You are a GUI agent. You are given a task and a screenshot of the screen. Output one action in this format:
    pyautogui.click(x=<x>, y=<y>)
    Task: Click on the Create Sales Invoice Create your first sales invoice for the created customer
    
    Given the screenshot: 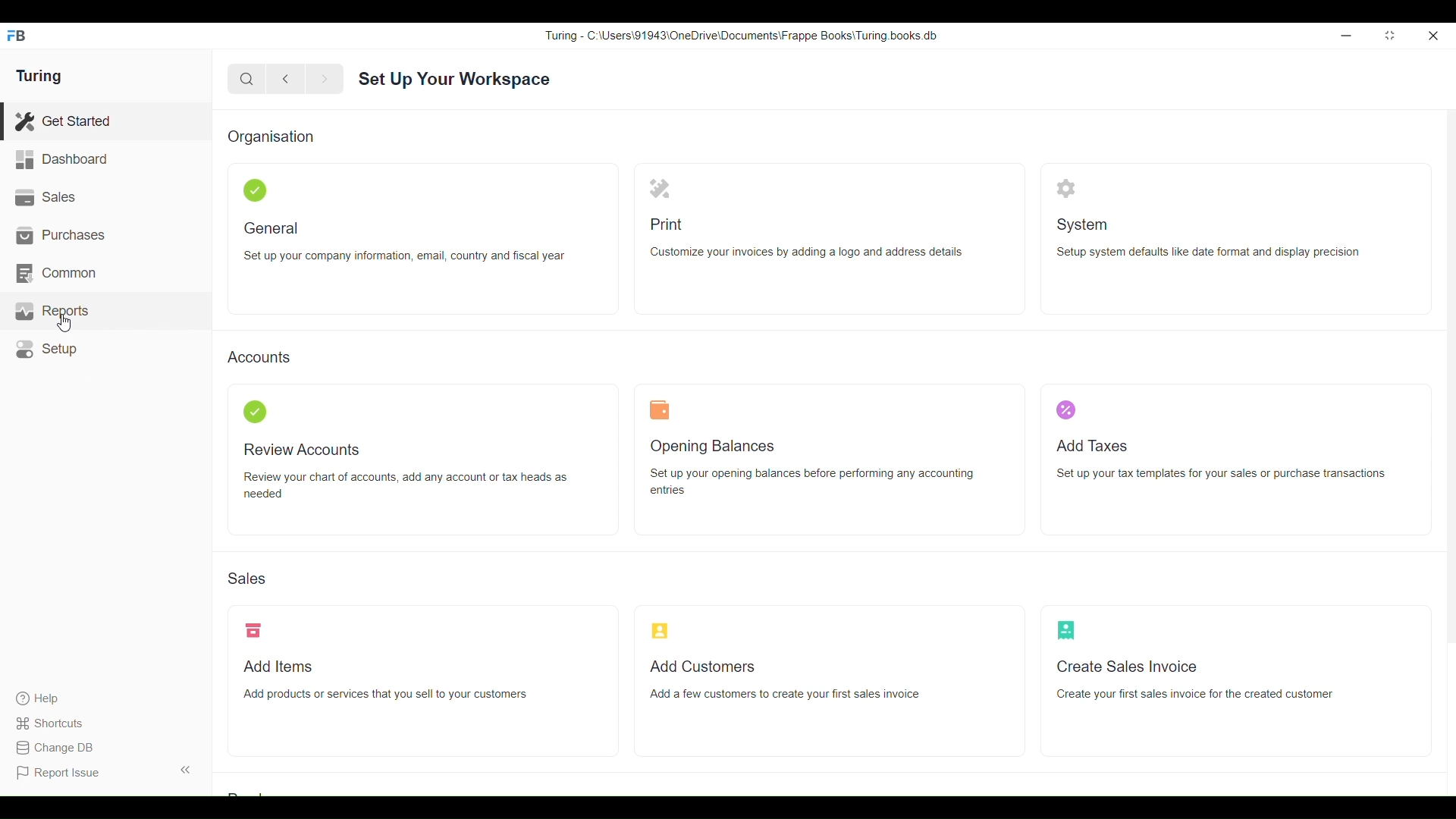 What is the action you would take?
    pyautogui.click(x=1194, y=680)
    